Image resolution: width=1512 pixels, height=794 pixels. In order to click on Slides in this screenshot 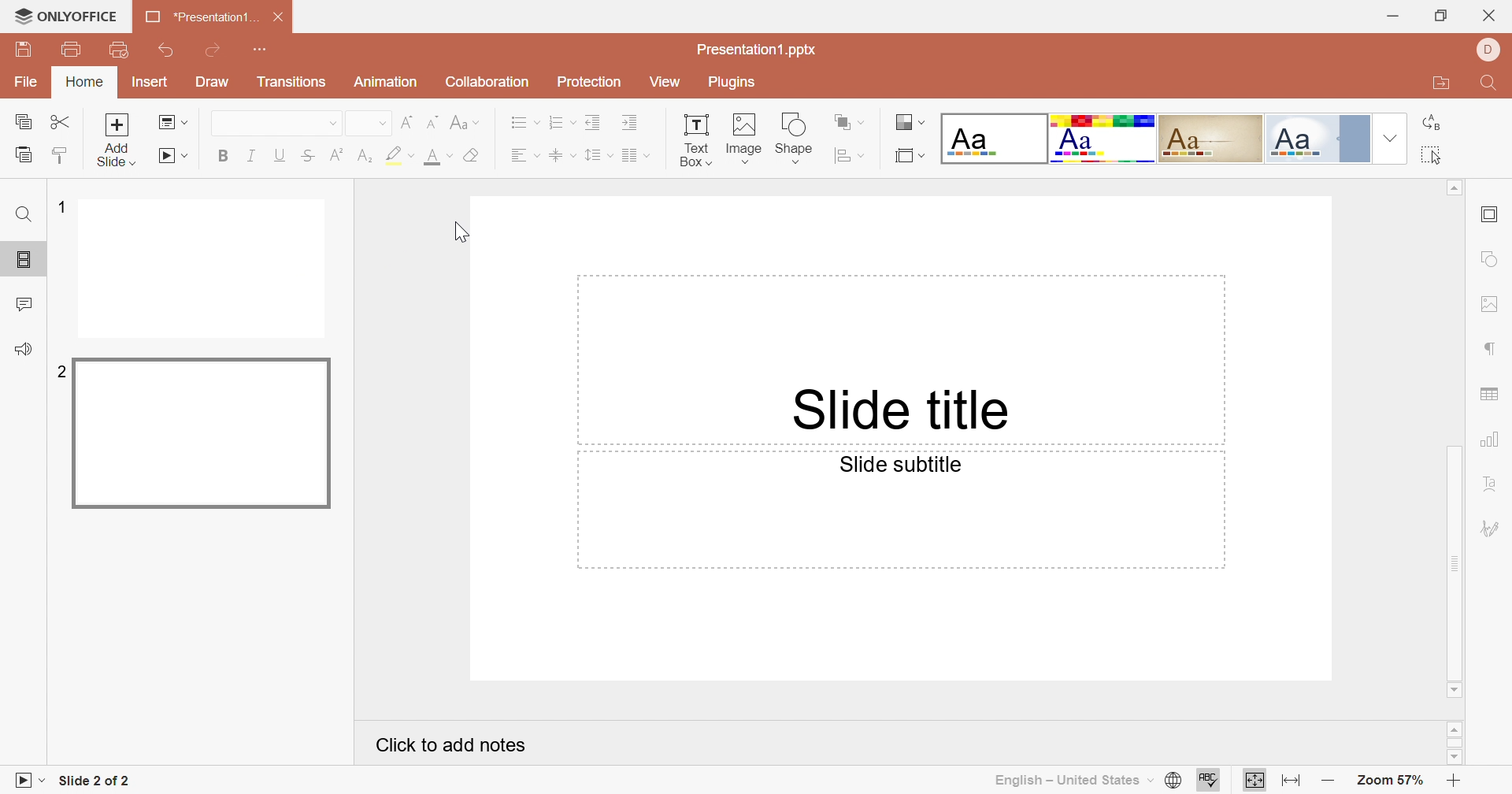, I will do `click(21, 258)`.